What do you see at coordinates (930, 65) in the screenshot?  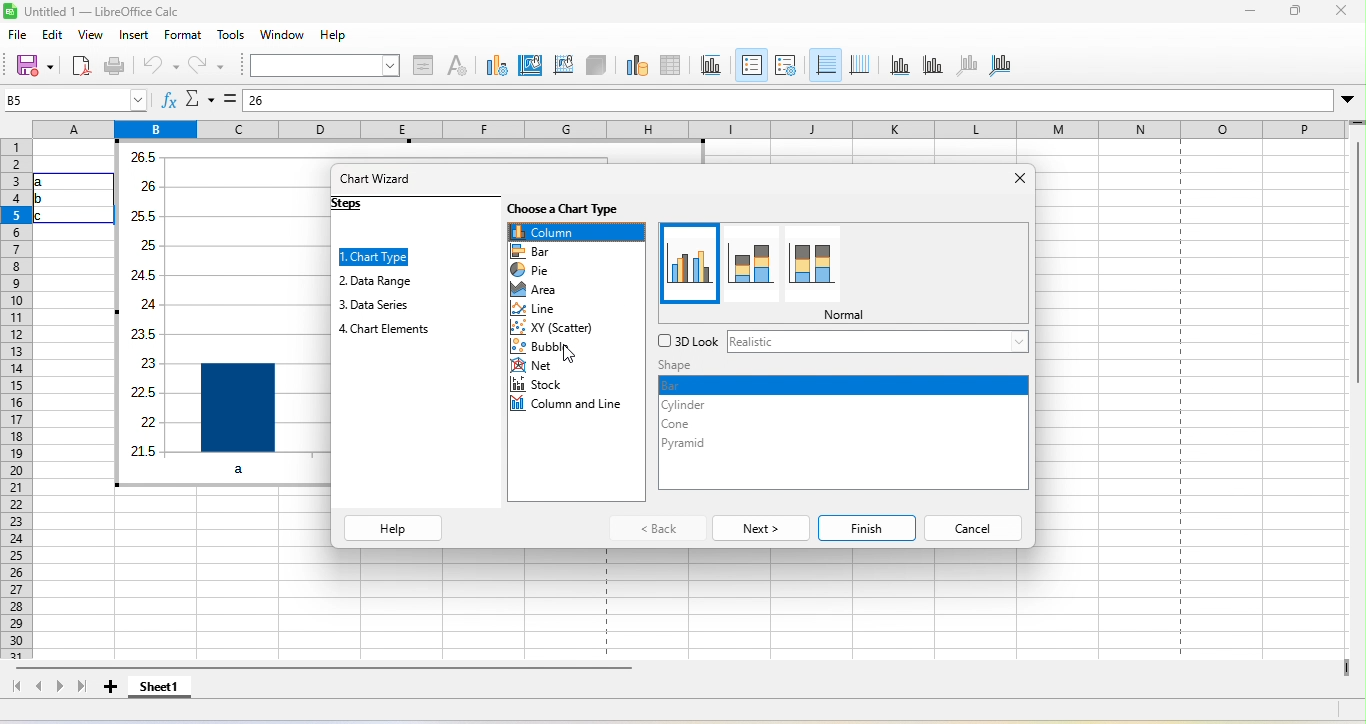 I see `y axis` at bounding box center [930, 65].